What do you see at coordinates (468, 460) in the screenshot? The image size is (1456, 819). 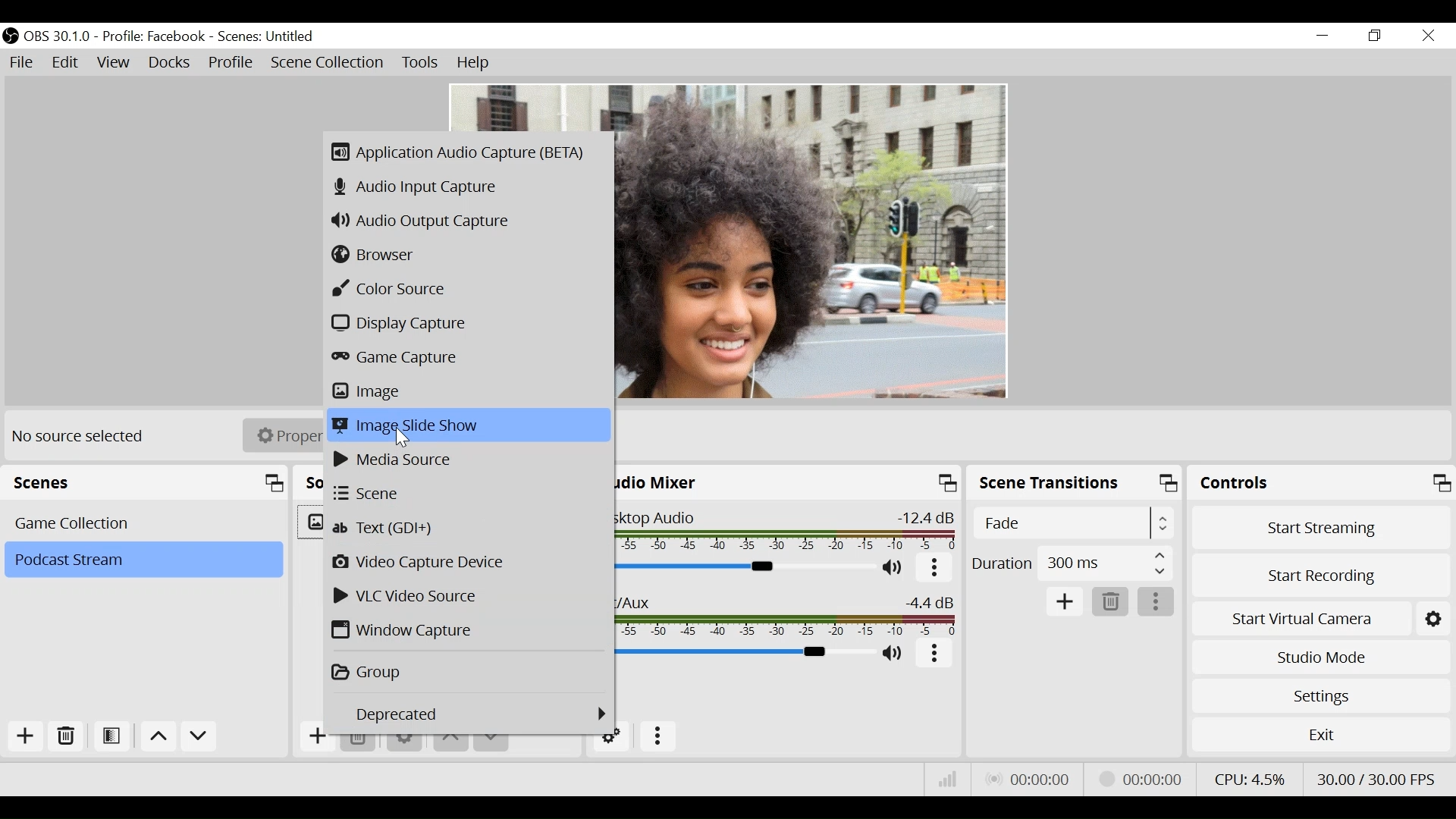 I see `Media Source` at bounding box center [468, 460].